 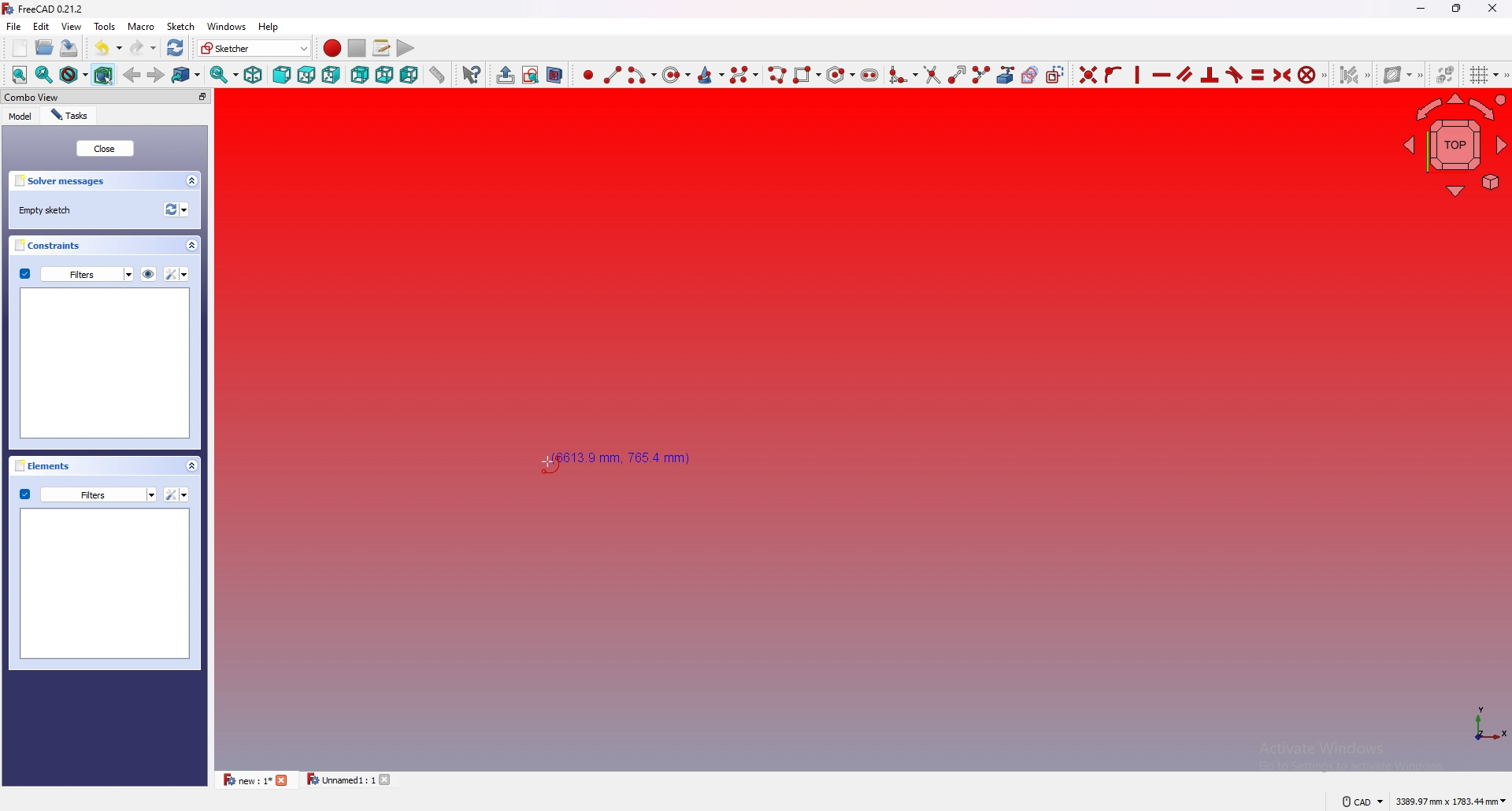 What do you see at coordinates (870, 75) in the screenshot?
I see `create slot` at bounding box center [870, 75].